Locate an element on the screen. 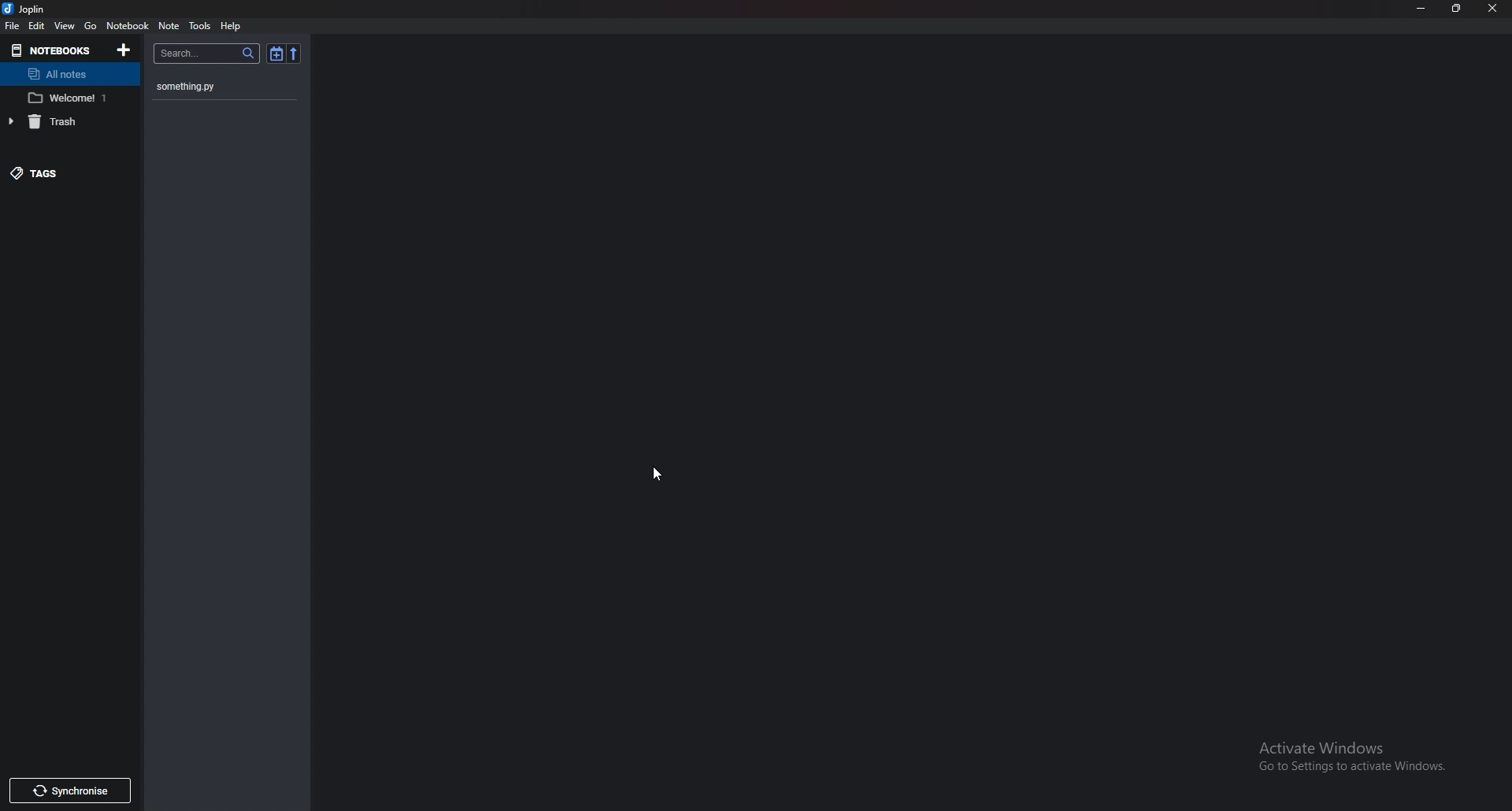 The width and height of the screenshot is (1512, 811). something.py is located at coordinates (217, 87).